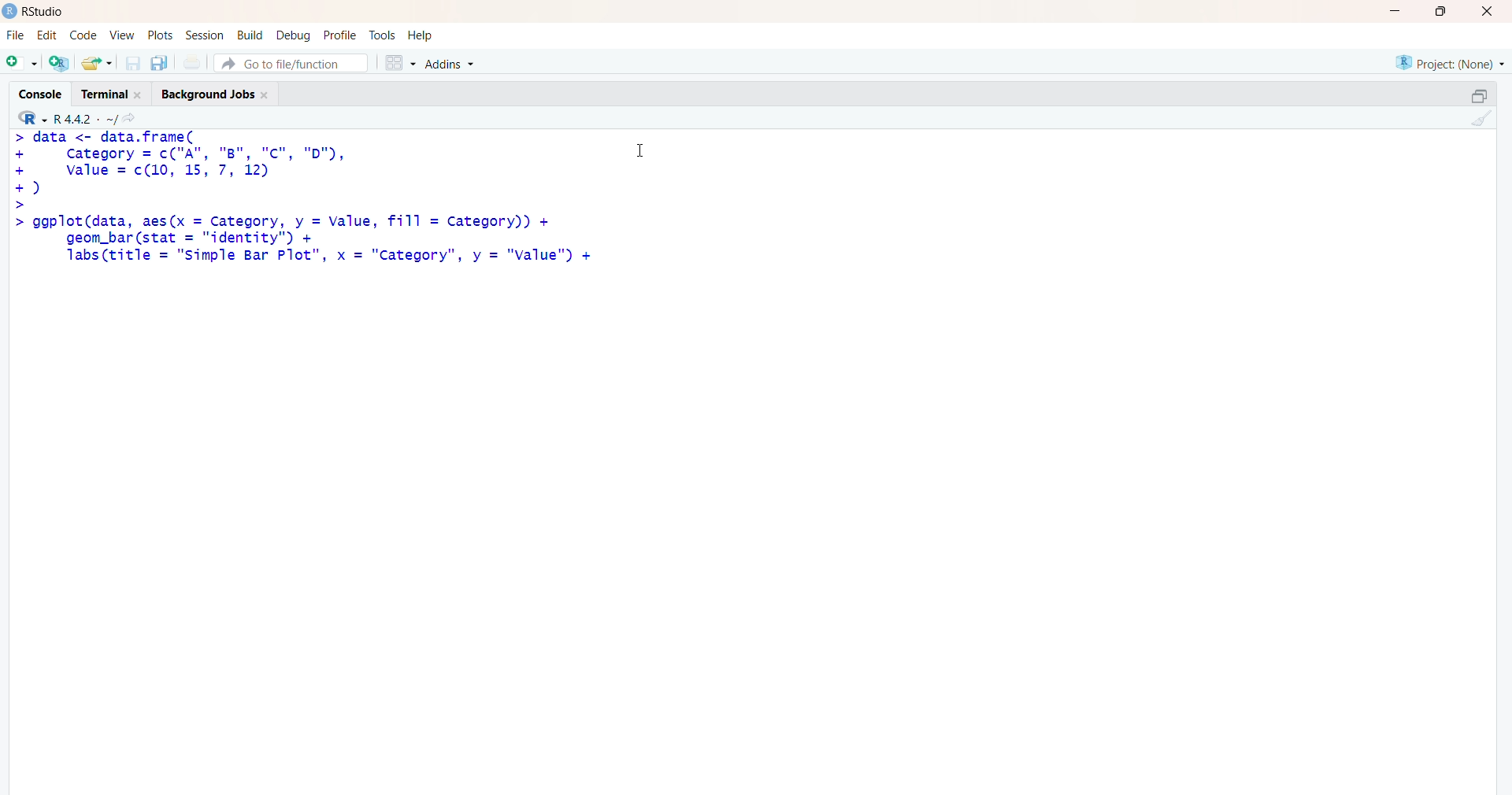  What do you see at coordinates (384, 35) in the screenshot?
I see `tools` at bounding box center [384, 35].